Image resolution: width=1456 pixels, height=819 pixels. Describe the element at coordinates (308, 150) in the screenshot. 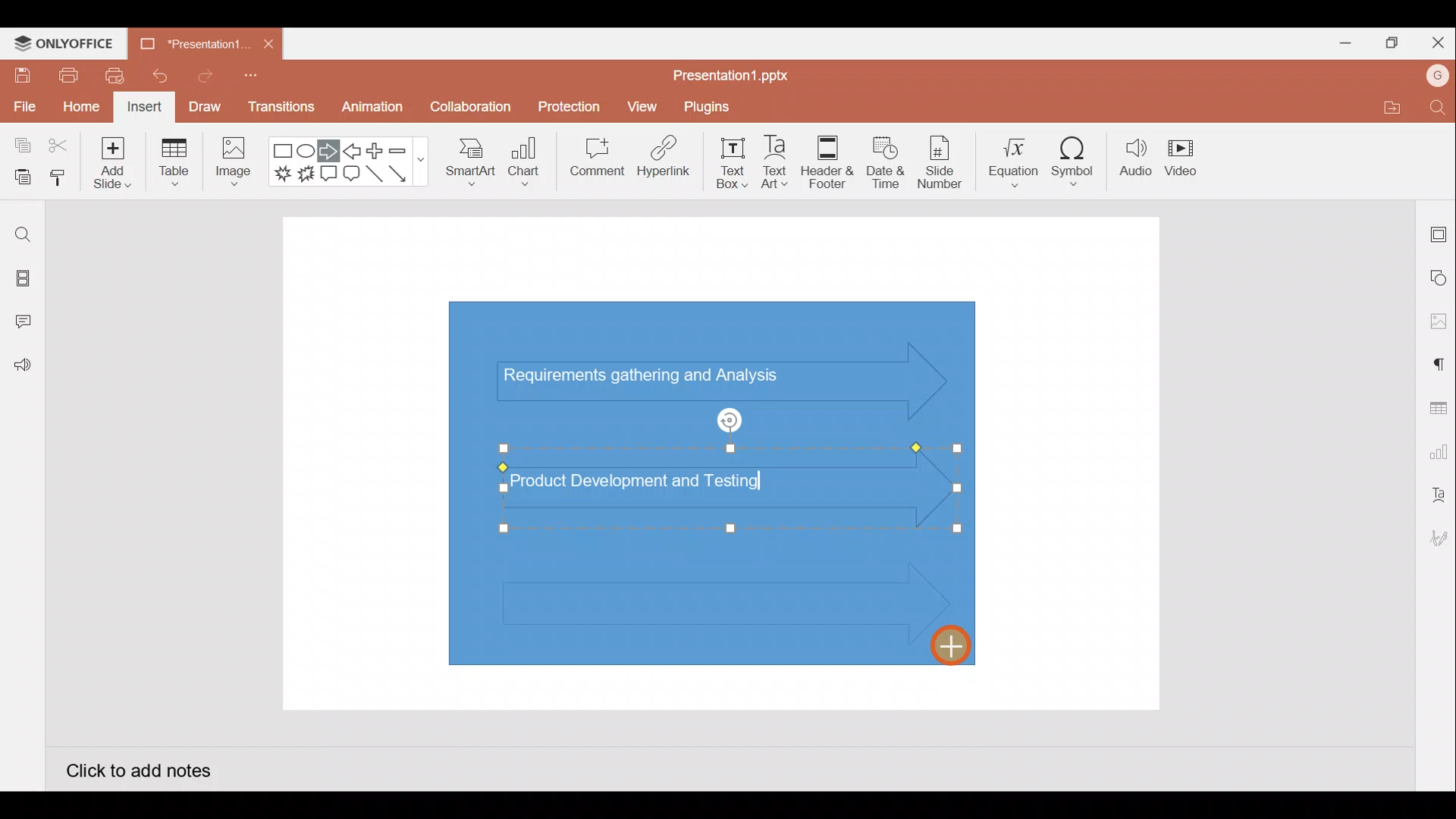

I see `Ellipse` at that location.